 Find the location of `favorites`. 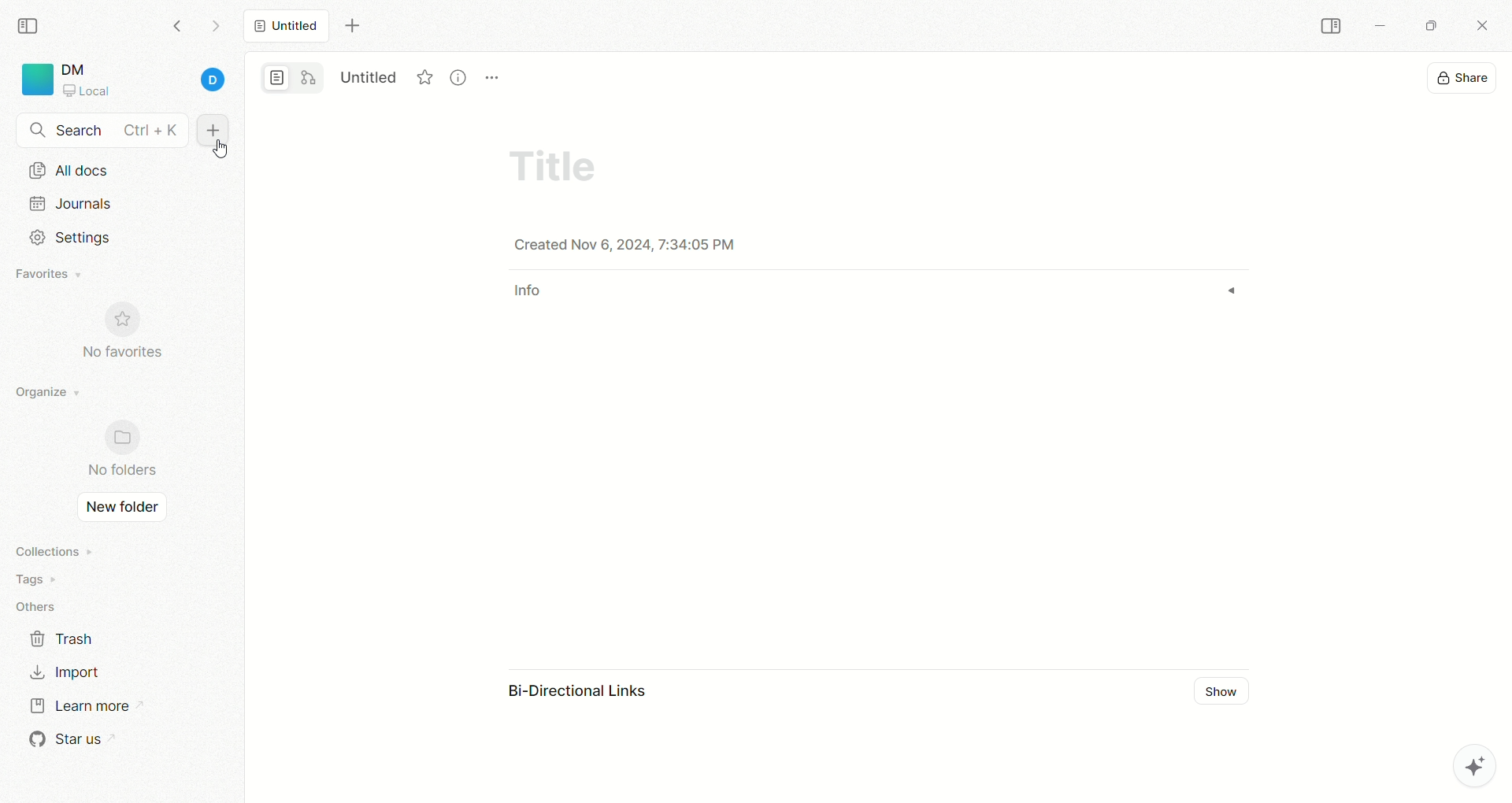

favorites is located at coordinates (51, 276).